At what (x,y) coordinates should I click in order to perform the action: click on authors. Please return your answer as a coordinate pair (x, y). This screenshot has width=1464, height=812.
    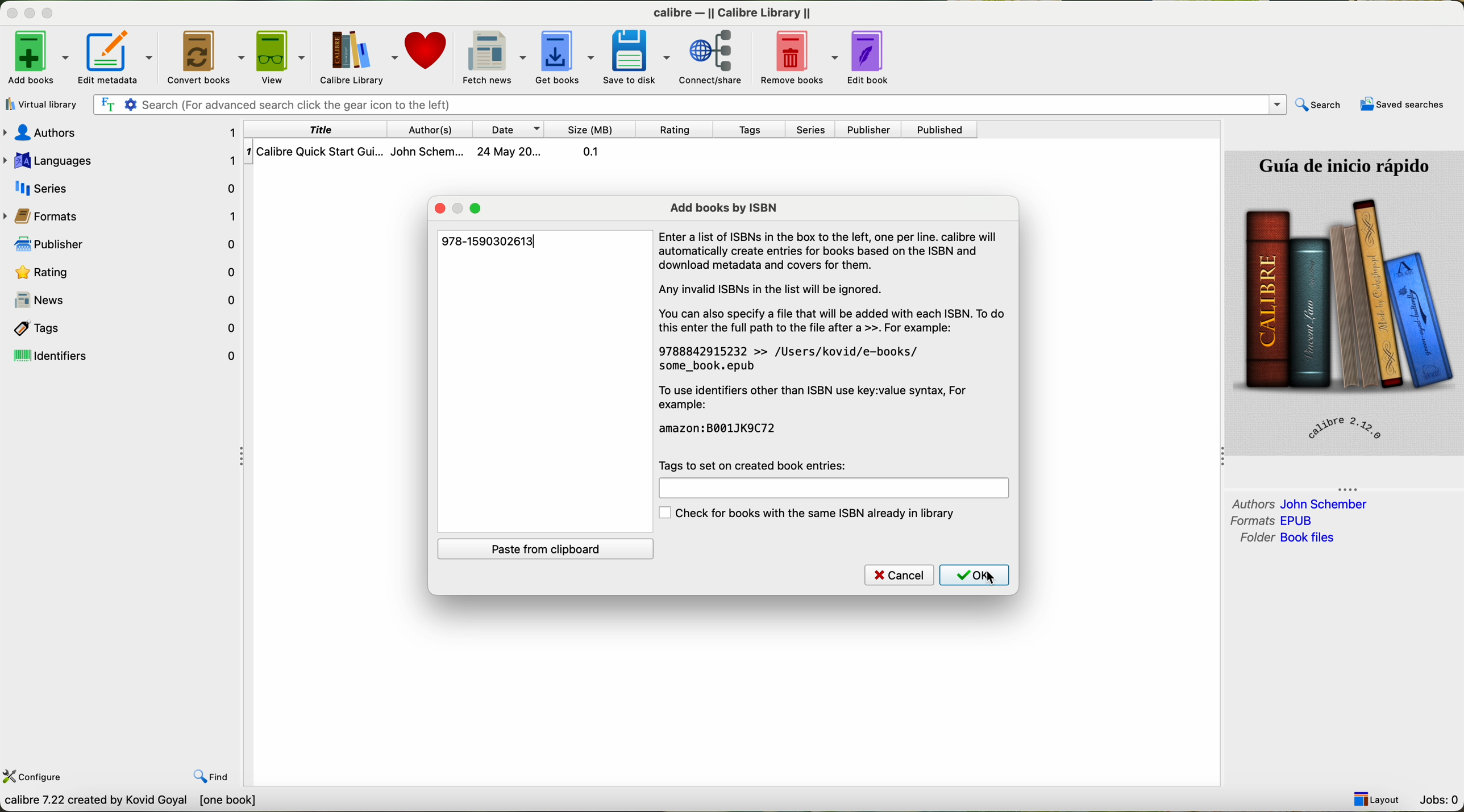
    Looking at the image, I should click on (428, 128).